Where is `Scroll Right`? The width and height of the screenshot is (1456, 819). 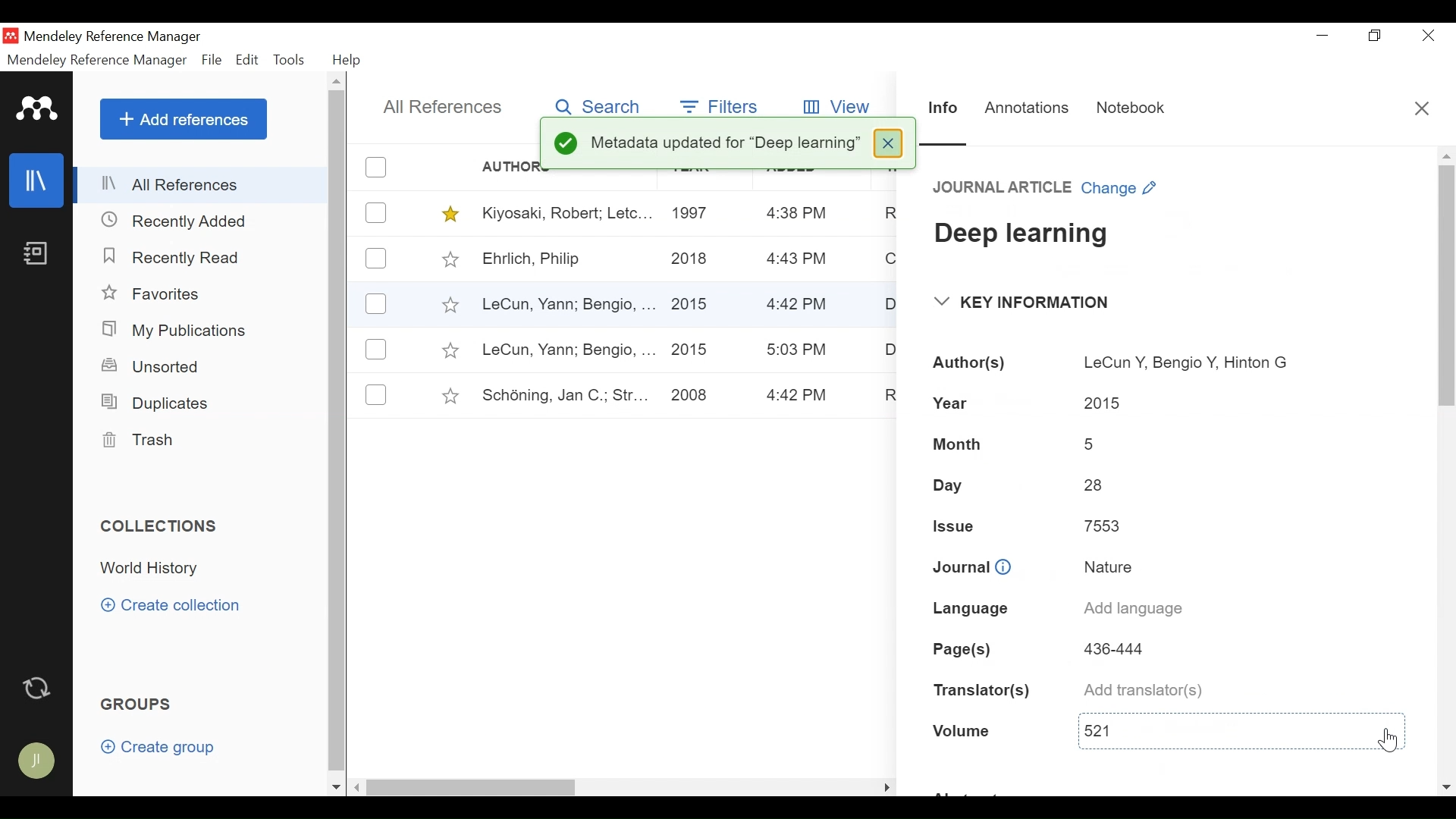
Scroll Right is located at coordinates (358, 788).